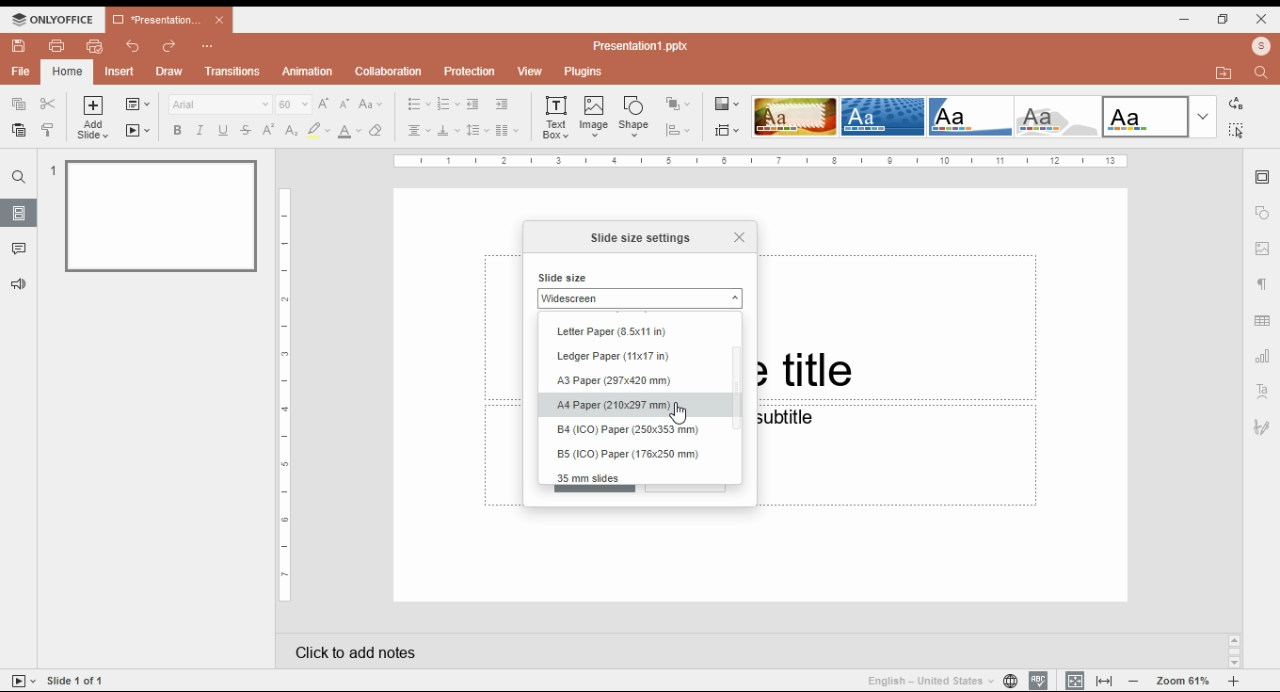 The width and height of the screenshot is (1280, 692). Describe the element at coordinates (1038, 680) in the screenshot. I see `spell check` at that location.